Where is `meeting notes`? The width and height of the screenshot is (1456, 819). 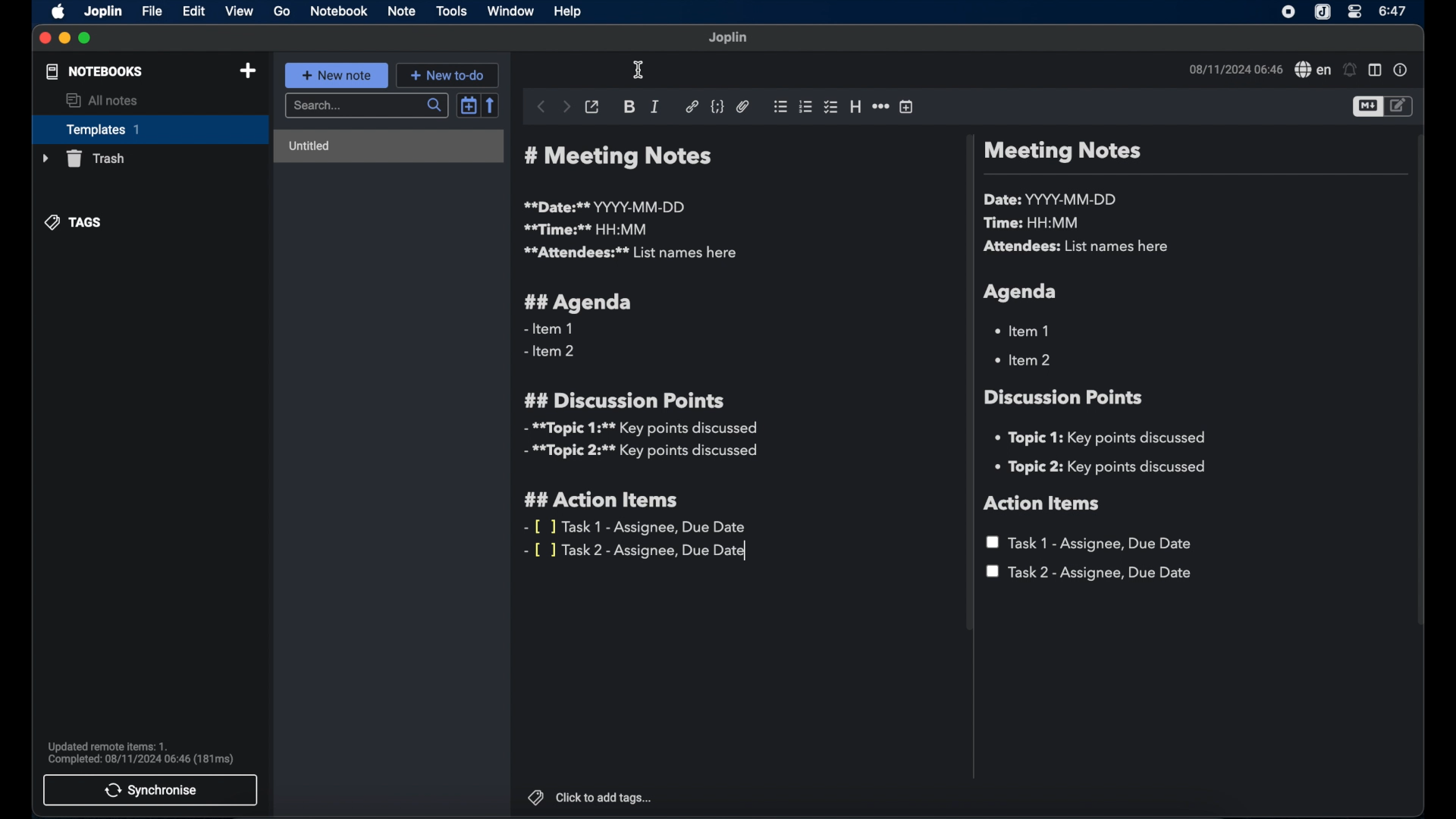
meeting notes is located at coordinates (1062, 152).